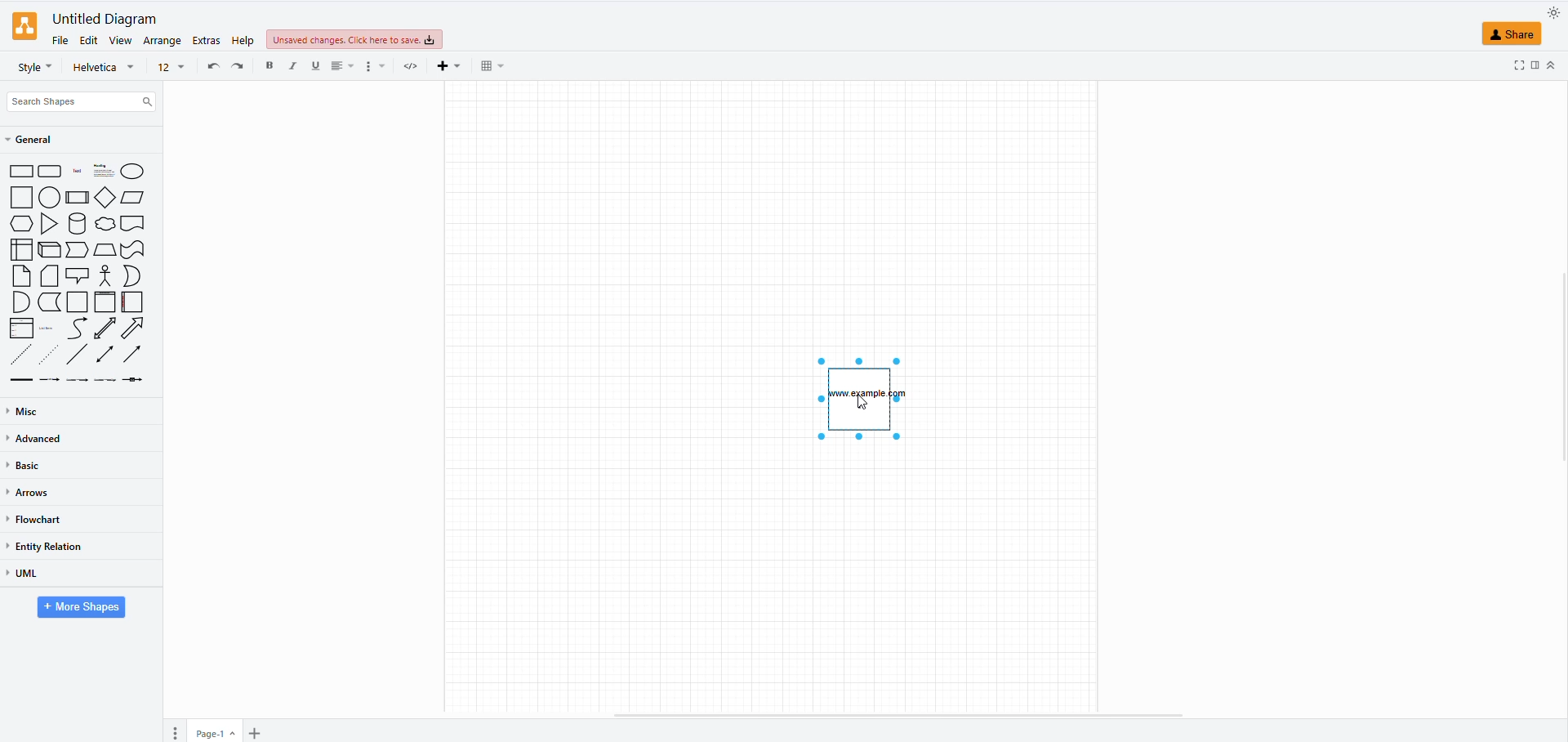  Describe the element at coordinates (35, 67) in the screenshot. I see `style` at that location.